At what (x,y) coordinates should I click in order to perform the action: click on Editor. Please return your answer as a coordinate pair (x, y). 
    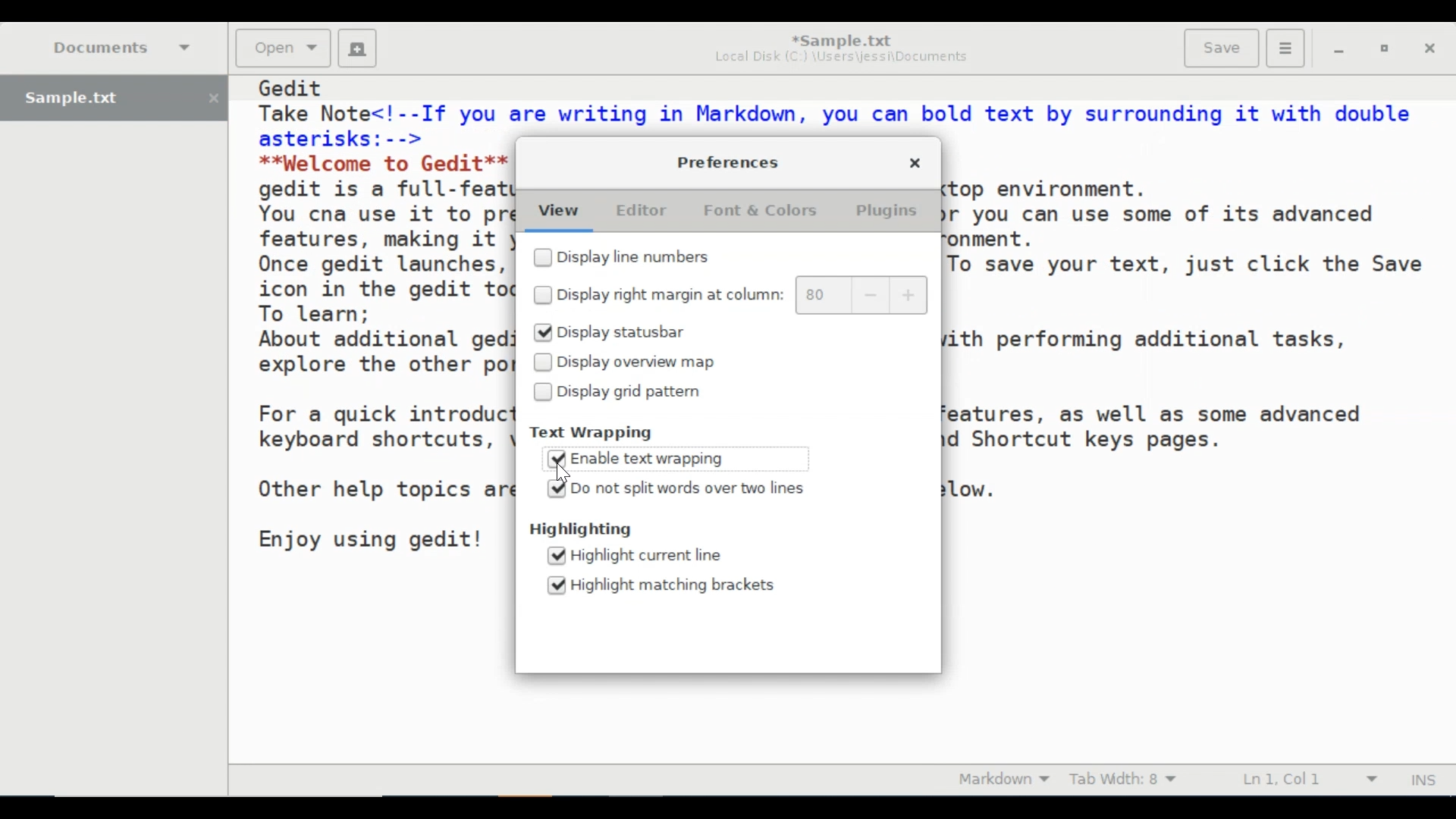
    Looking at the image, I should click on (643, 210).